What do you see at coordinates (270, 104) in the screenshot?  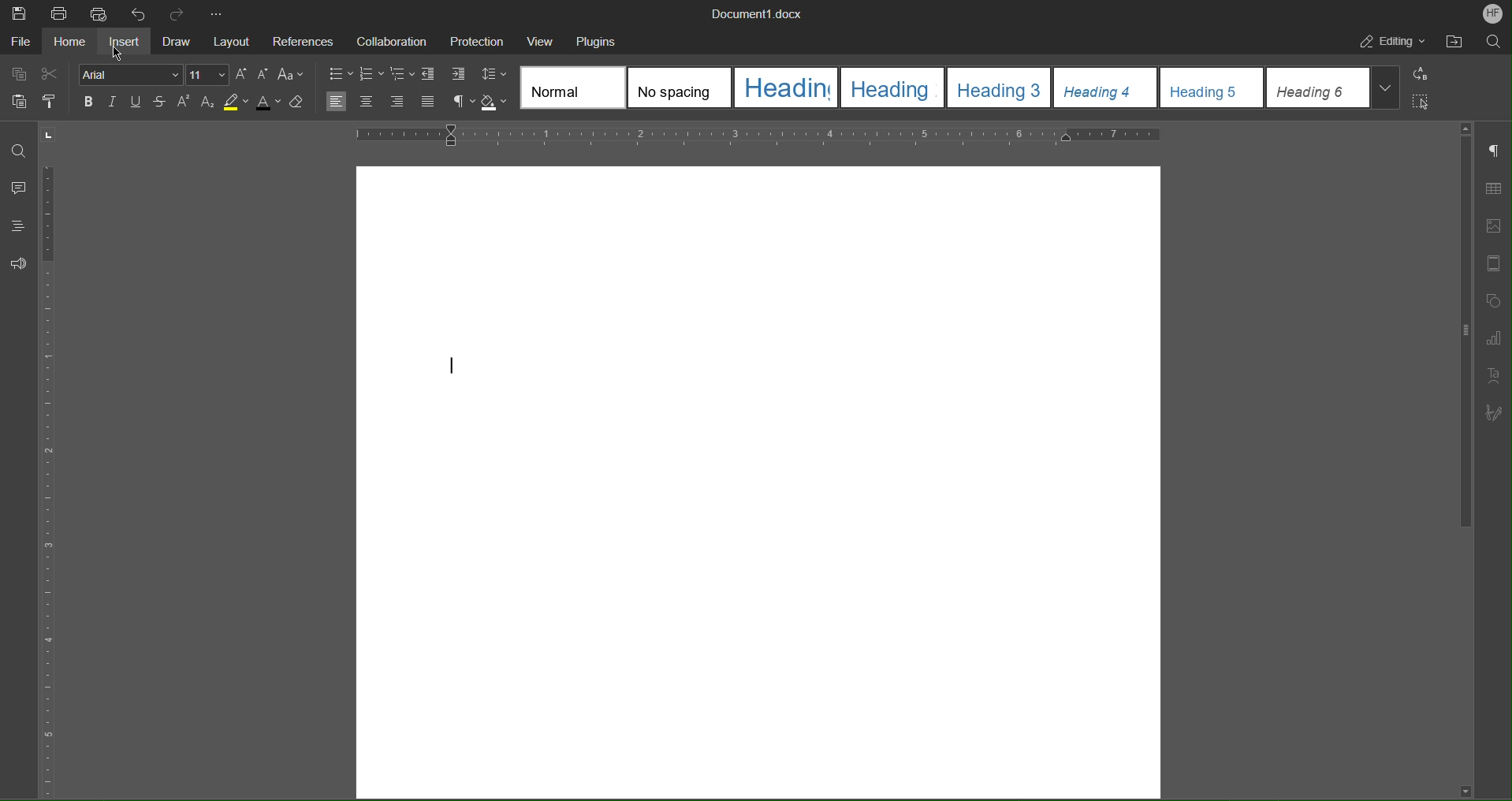 I see `Text Color` at bounding box center [270, 104].